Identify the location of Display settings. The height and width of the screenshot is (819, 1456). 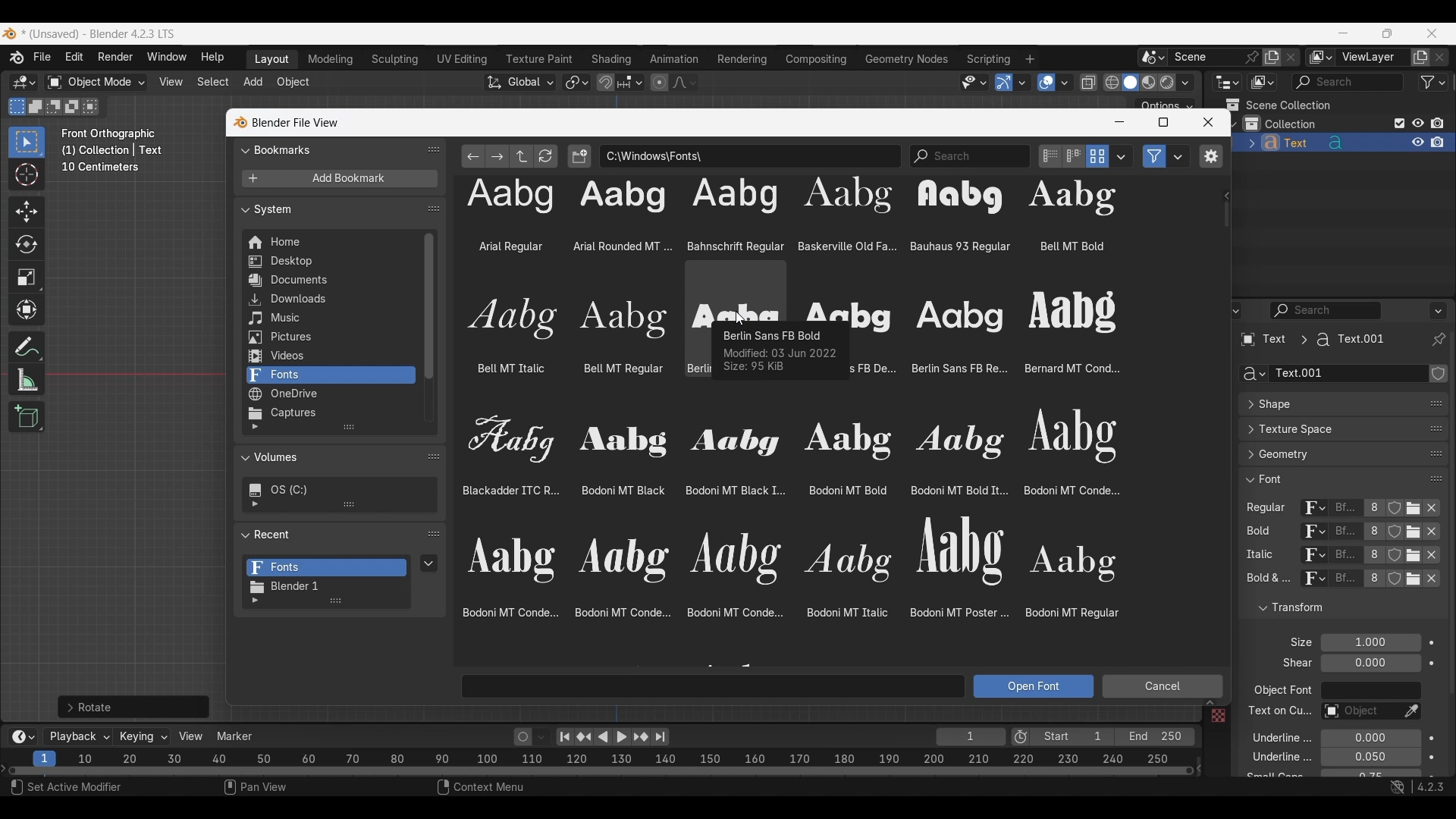
(1122, 156).